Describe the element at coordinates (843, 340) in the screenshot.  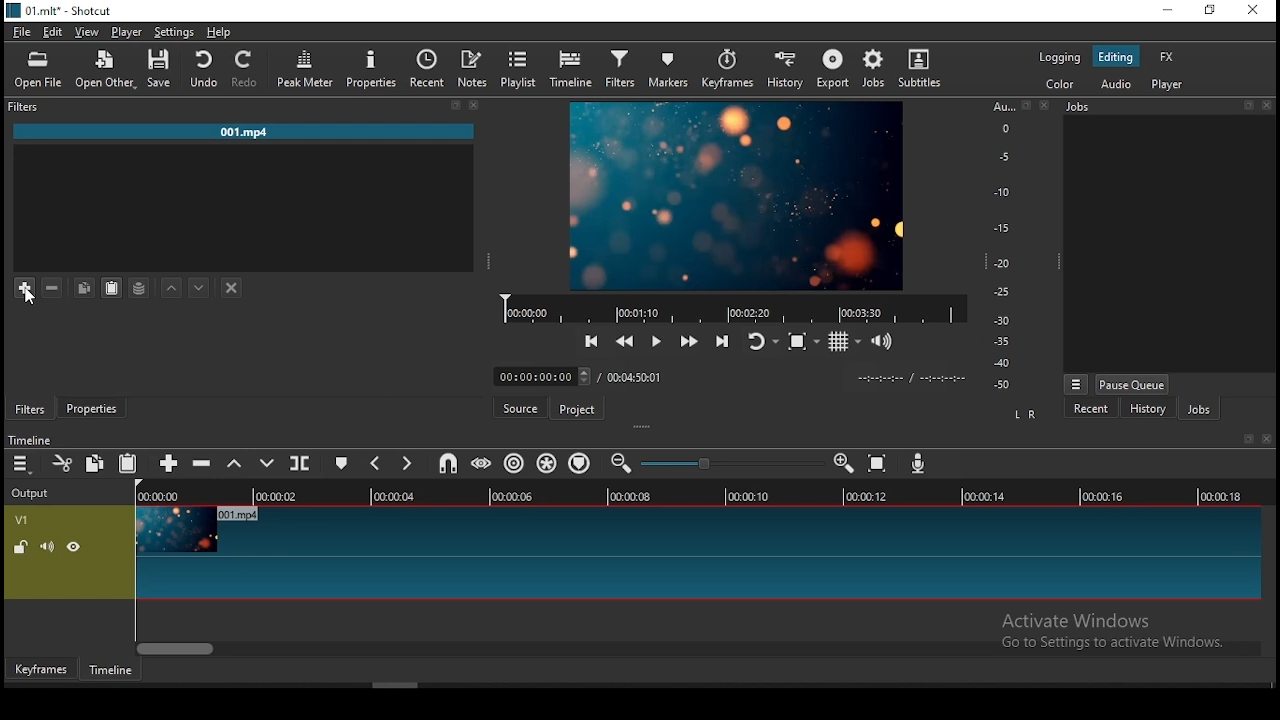
I see `toggle grid display on the player` at that location.